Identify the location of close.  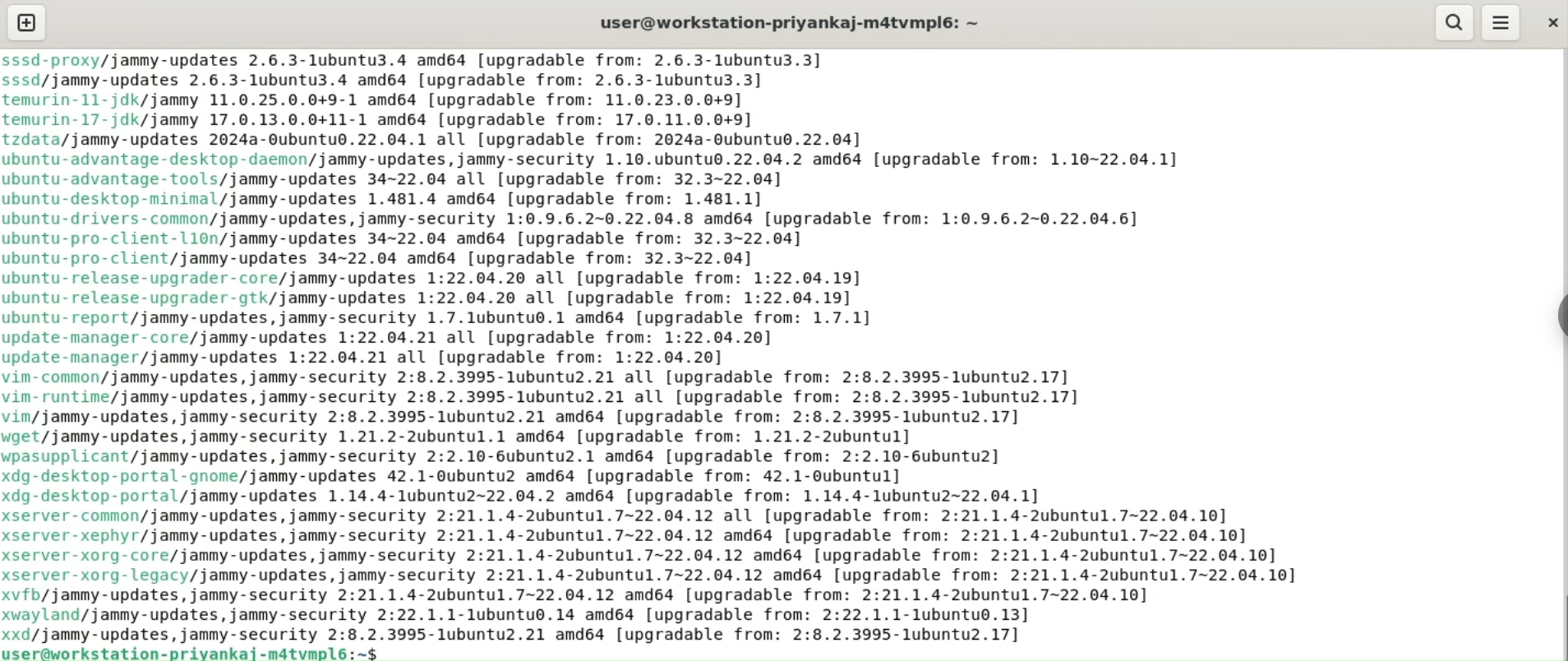
(1547, 21).